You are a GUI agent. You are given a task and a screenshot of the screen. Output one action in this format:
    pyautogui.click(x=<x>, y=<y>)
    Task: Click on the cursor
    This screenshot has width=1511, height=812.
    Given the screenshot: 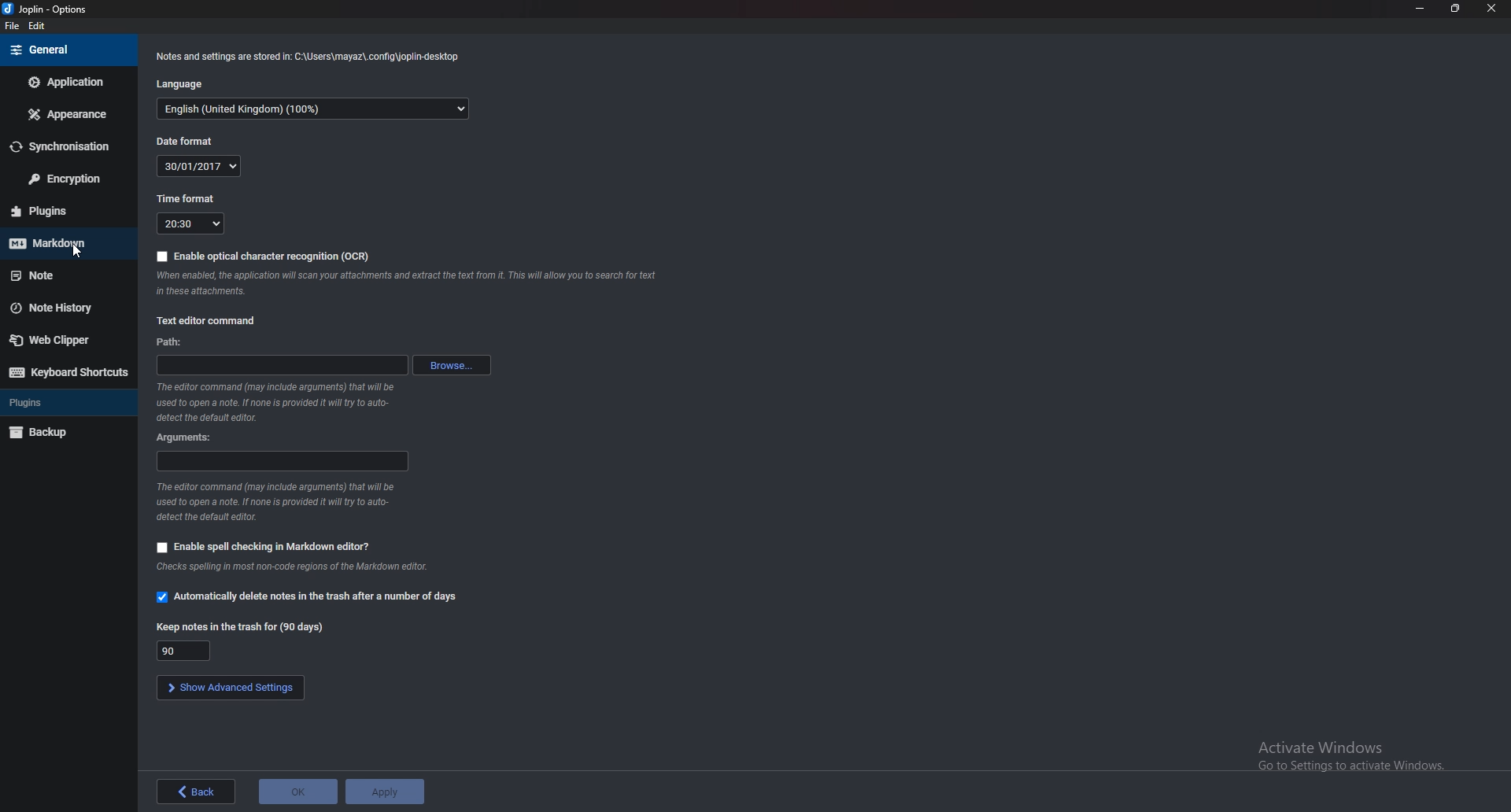 What is the action you would take?
    pyautogui.click(x=76, y=253)
    